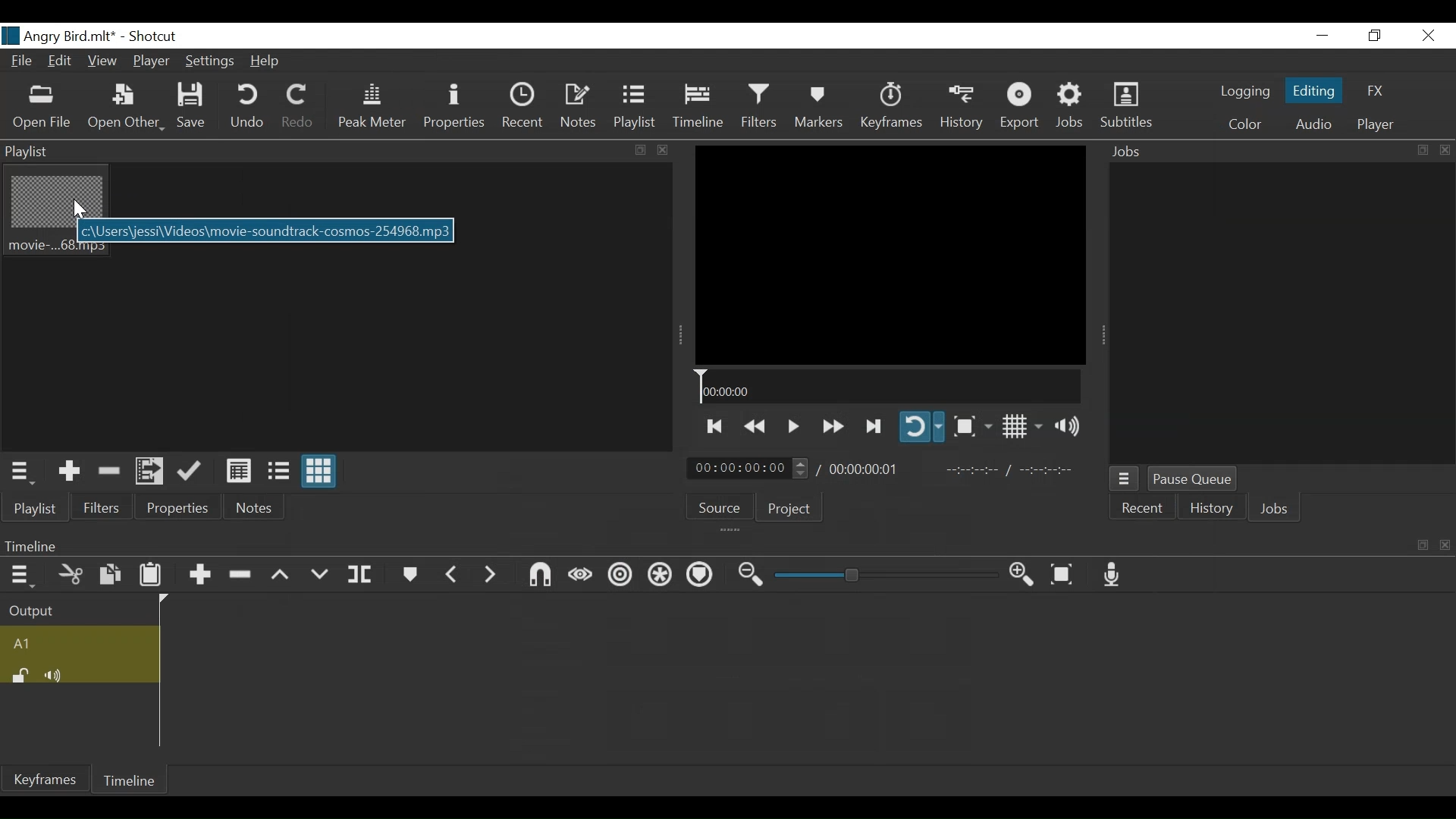 This screenshot has height=819, width=1456. I want to click on Recent, so click(525, 105).